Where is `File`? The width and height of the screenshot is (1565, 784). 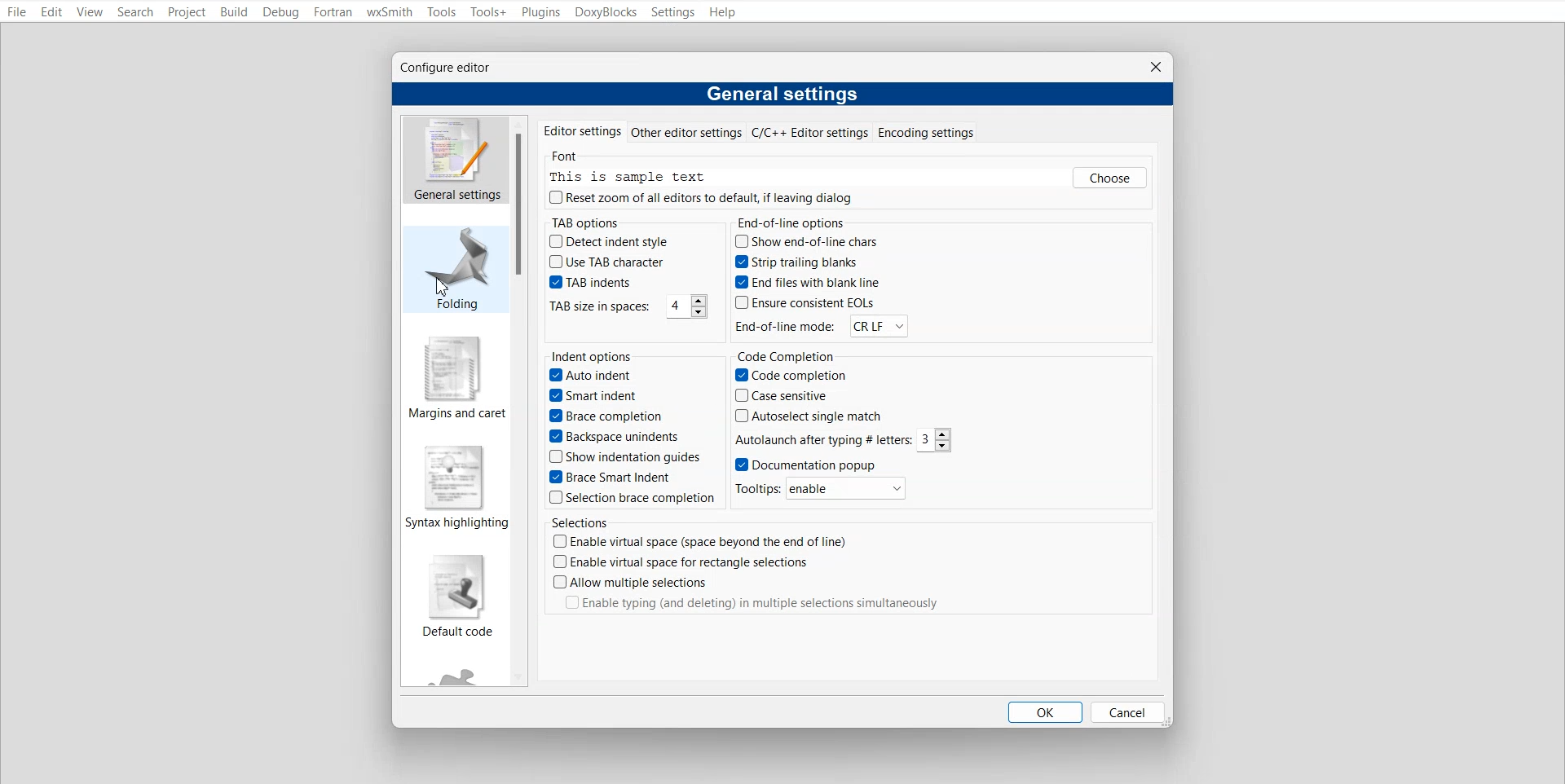
File is located at coordinates (16, 11).